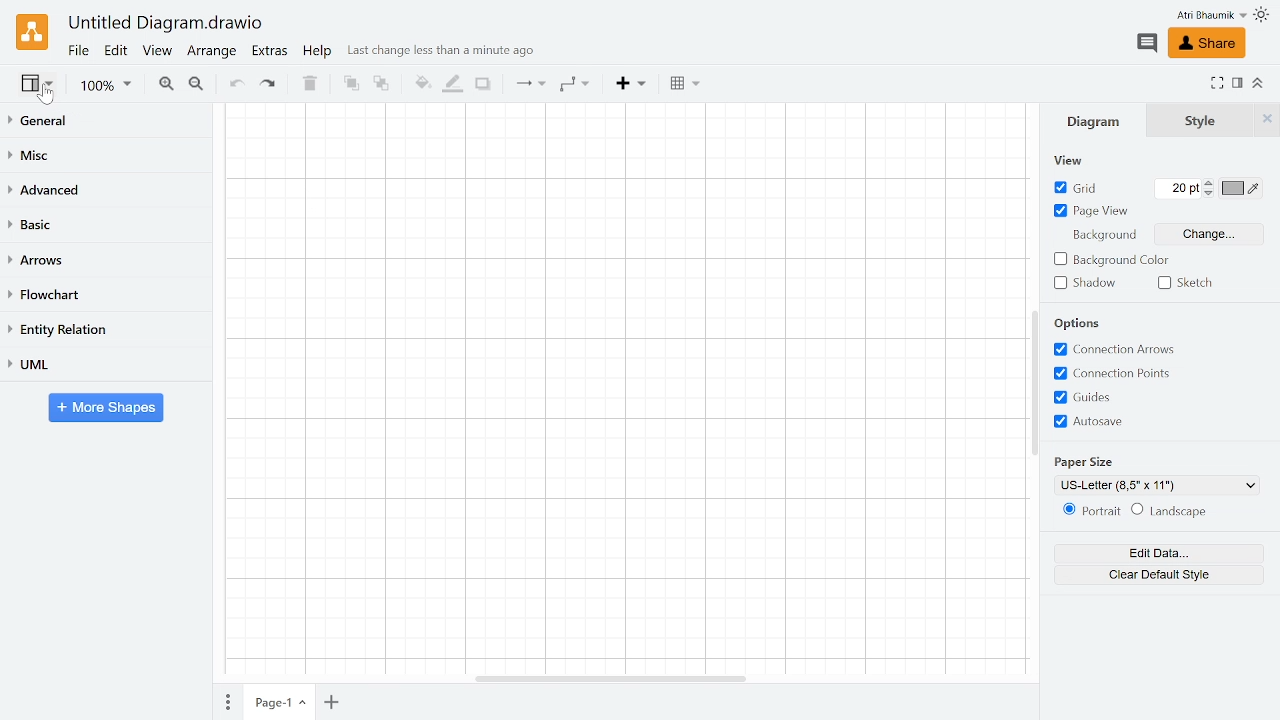 The height and width of the screenshot is (720, 1280). Describe the element at coordinates (103, 152) in the screenshot. I see `Misc` at that location.